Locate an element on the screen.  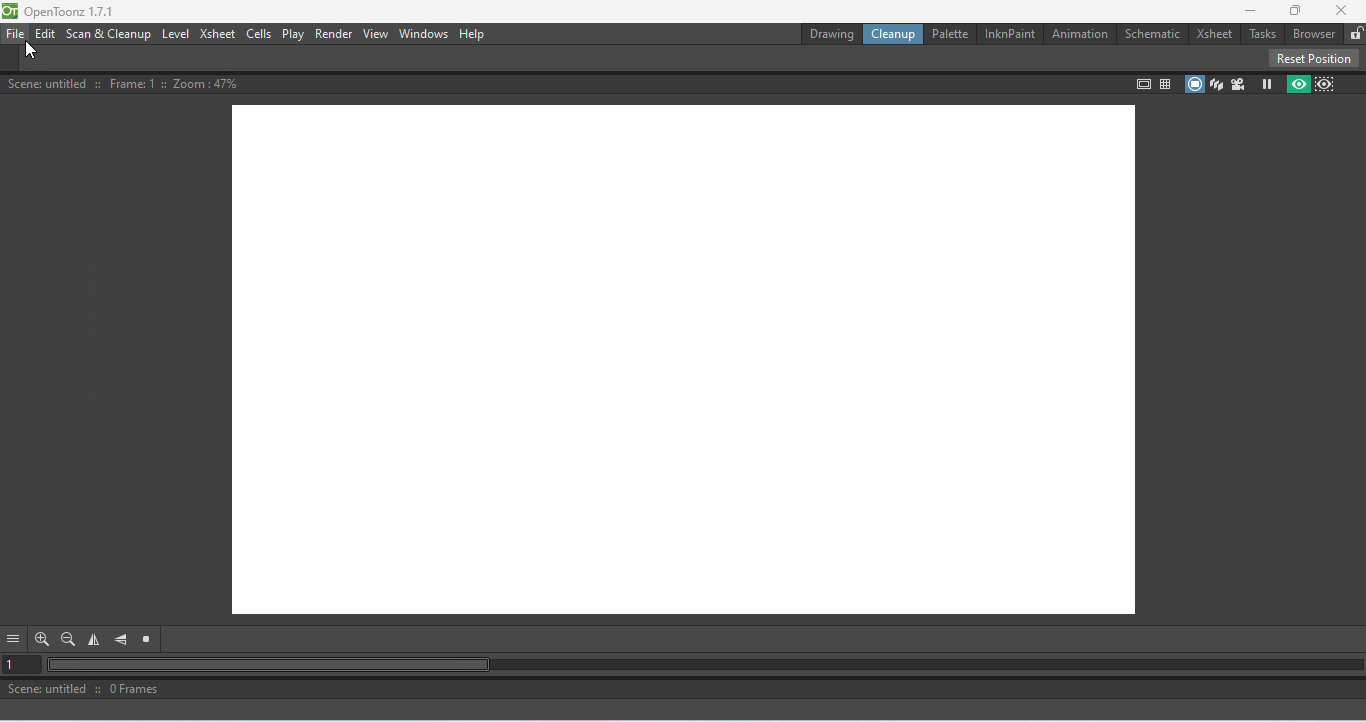
Flip horizontal is located at coordinates (97, 641).